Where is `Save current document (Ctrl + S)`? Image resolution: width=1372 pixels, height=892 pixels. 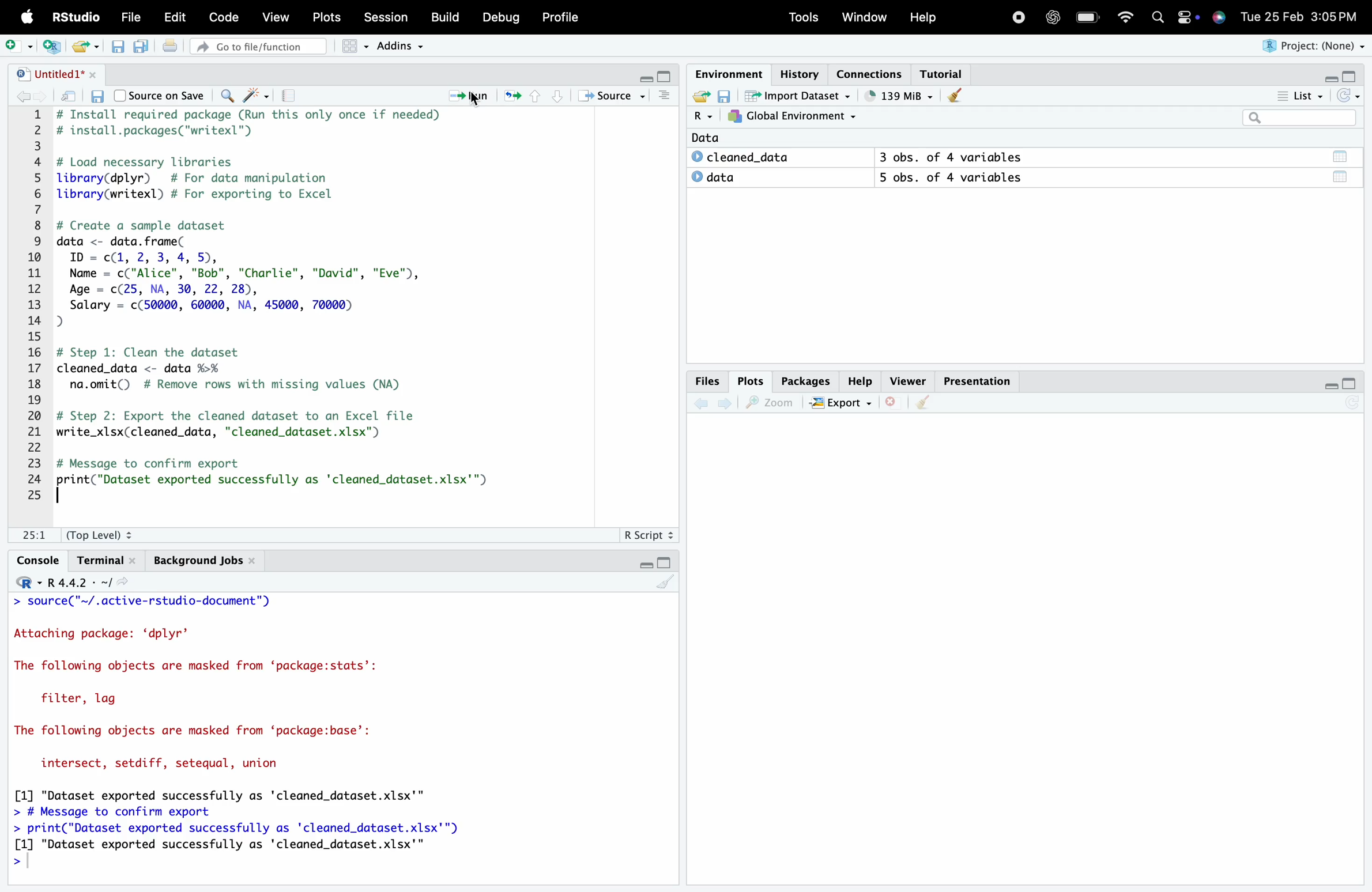
Save current document (Ctrl + S) is located at coordinates (96, 96).